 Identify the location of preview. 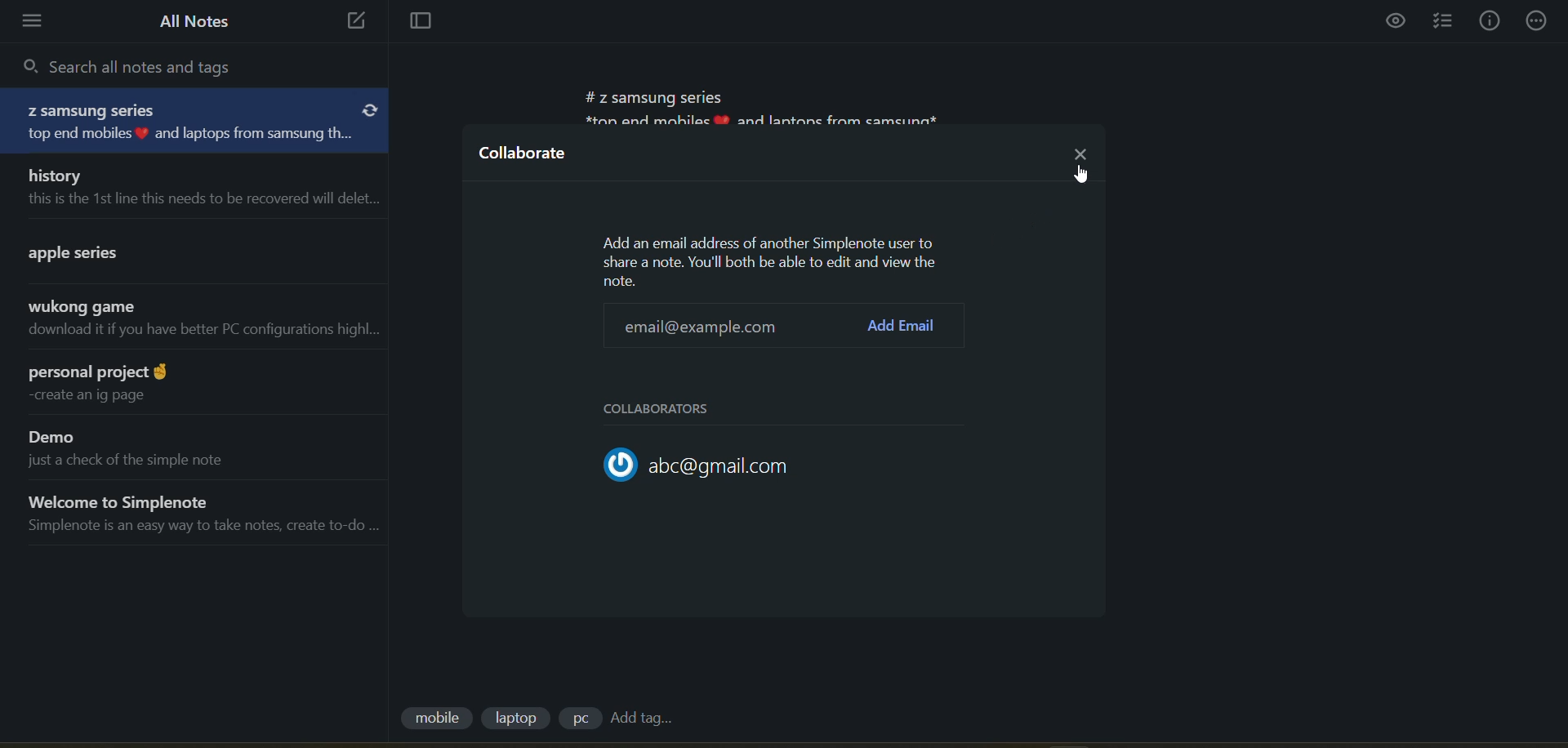
(1397, 23).